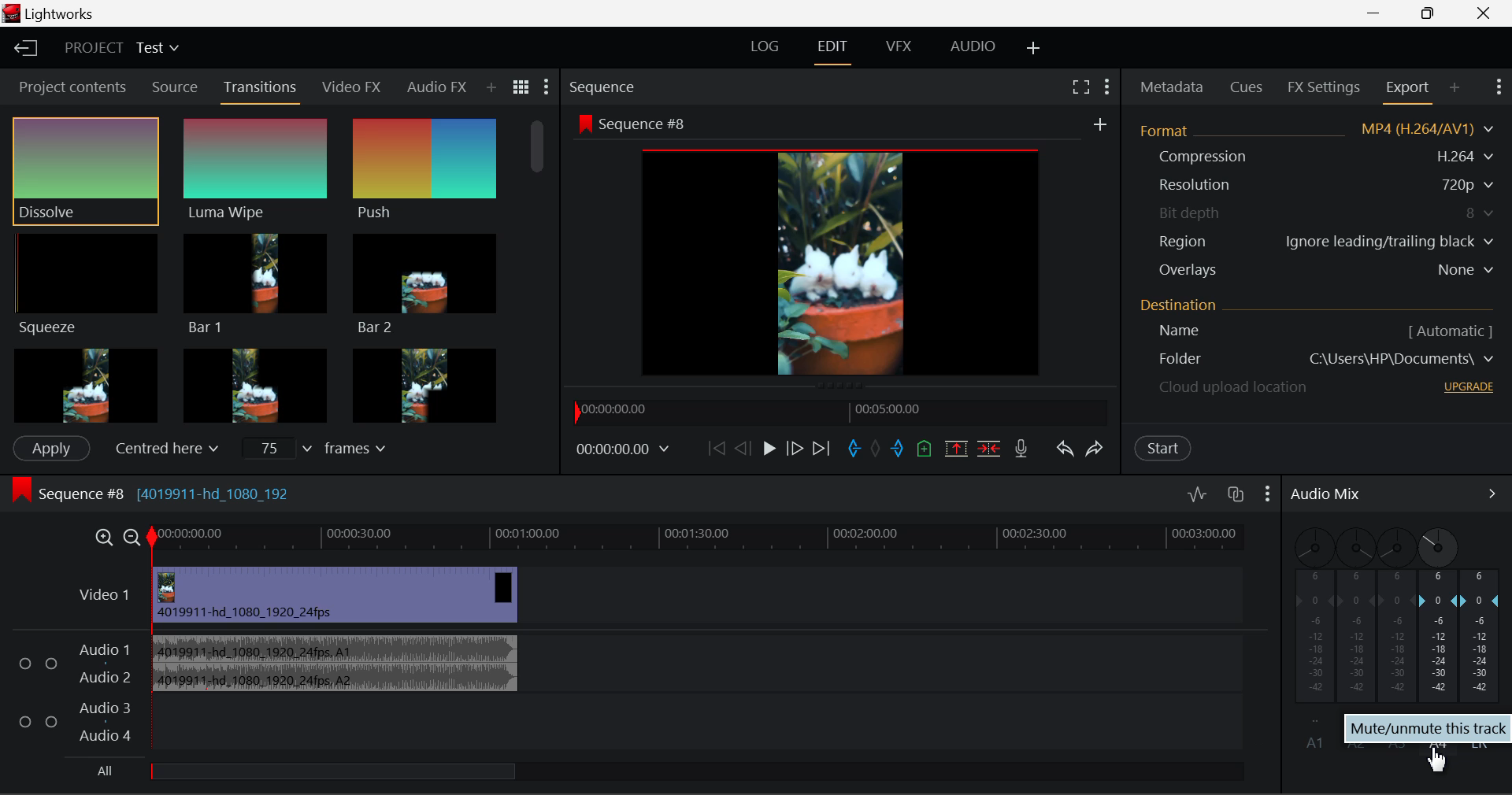 This screenshot has height=795, width=1512. Describe the element at coordinates (836, 50) in the screenshot. I see `EDIT Layout` at that location.